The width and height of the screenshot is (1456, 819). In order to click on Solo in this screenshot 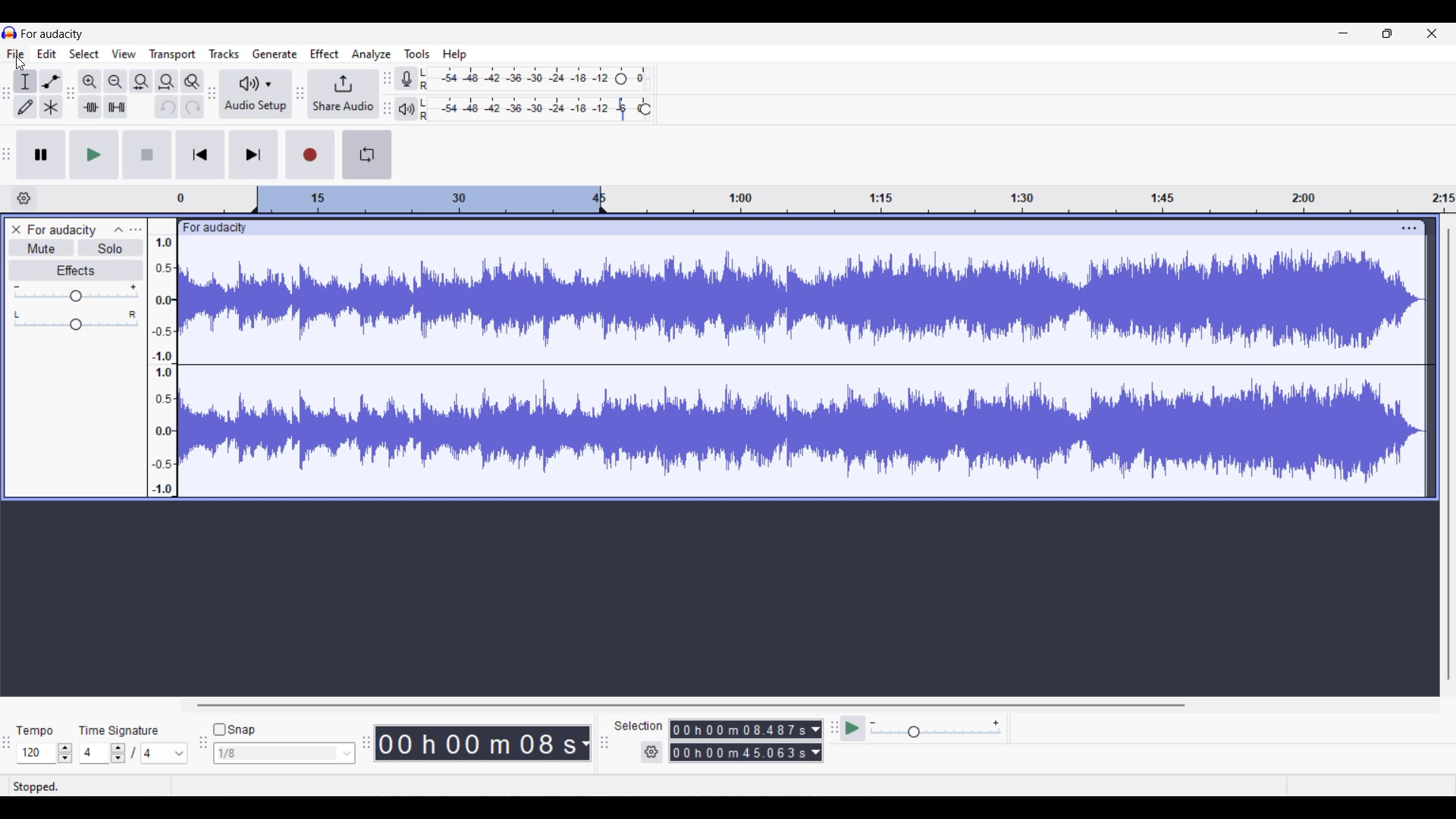, I will do `click(111, 247)`.